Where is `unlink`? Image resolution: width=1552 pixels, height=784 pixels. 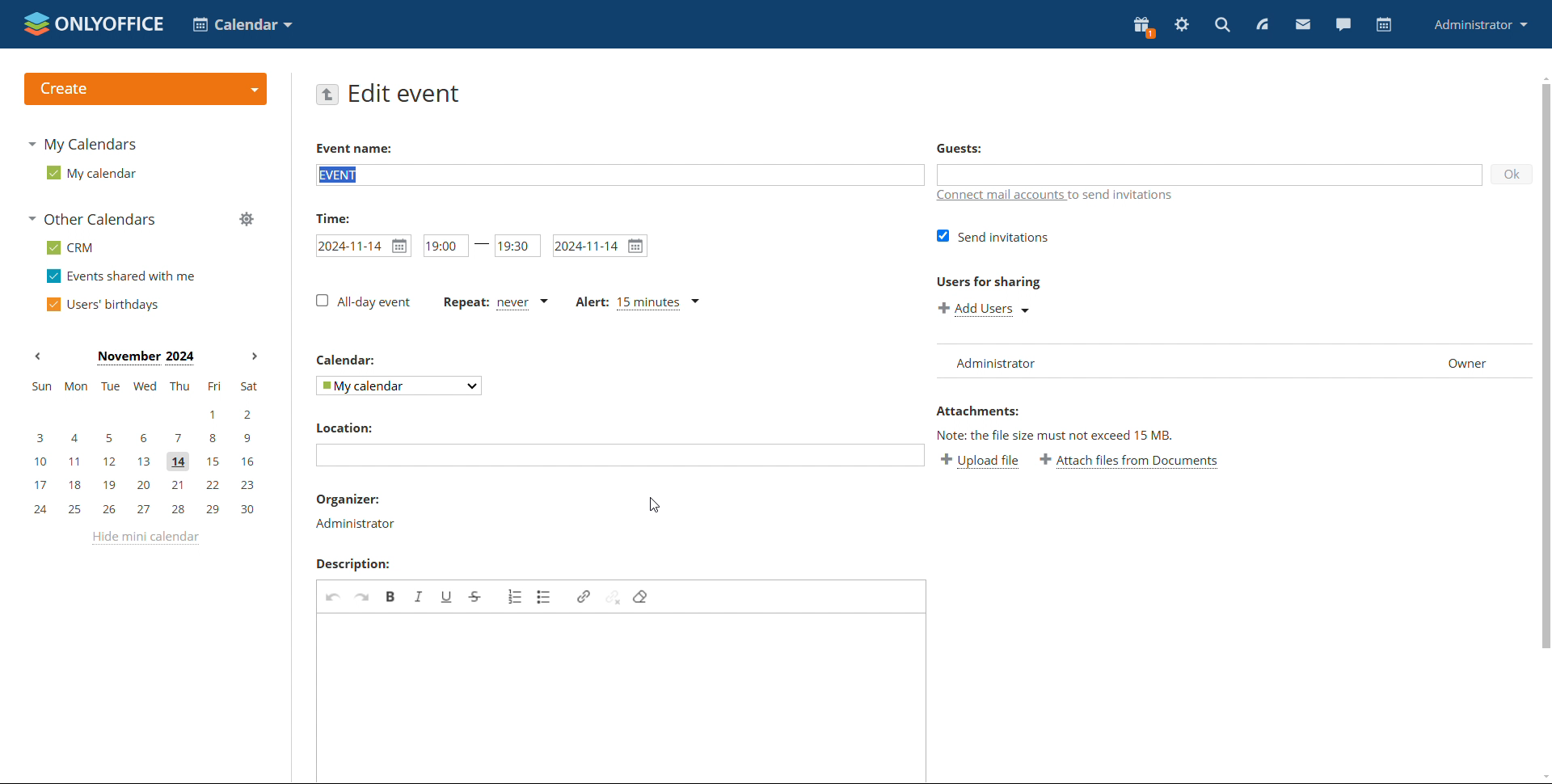
unlink is located at coordinates (614, 596).